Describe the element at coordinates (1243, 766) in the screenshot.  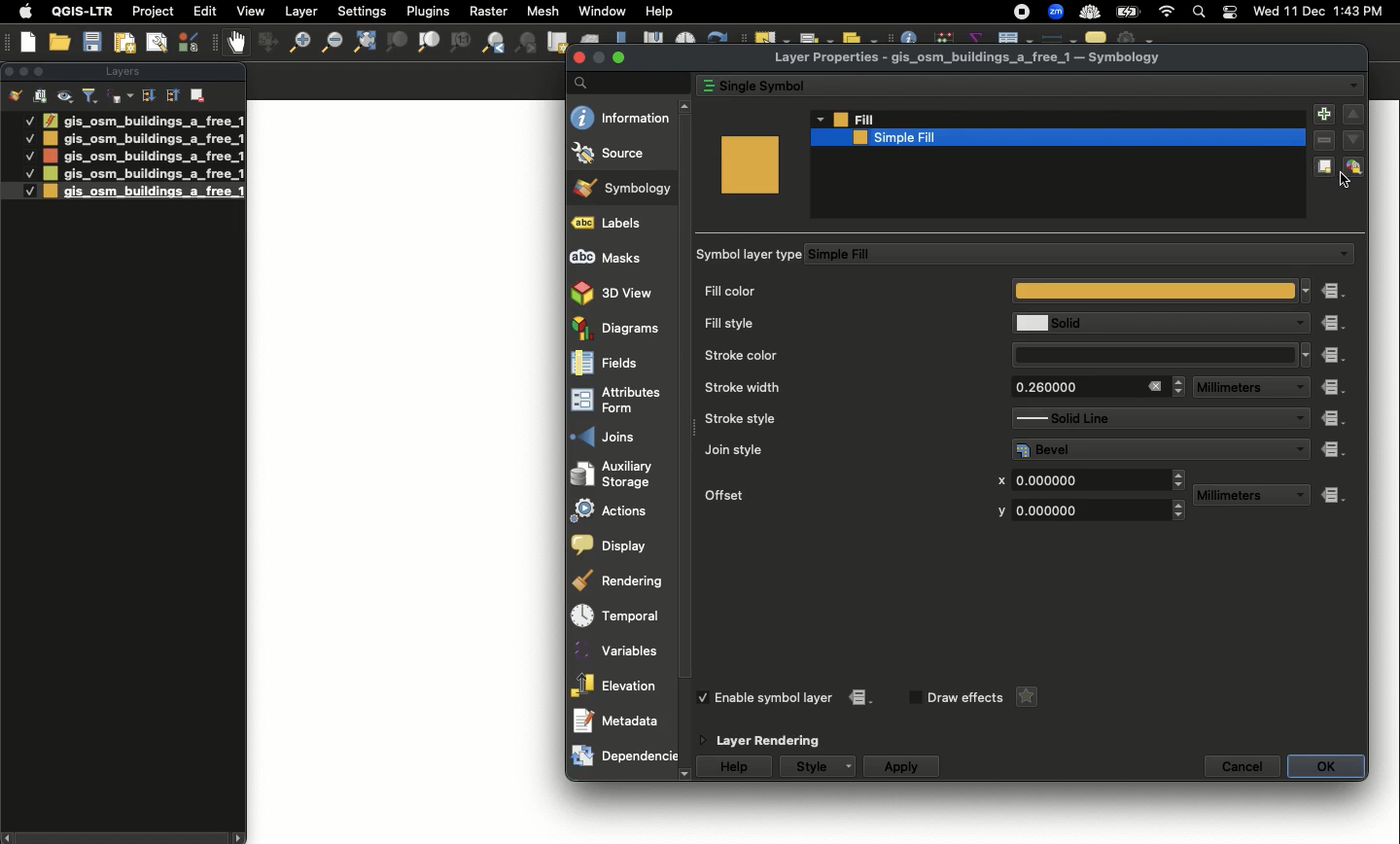
I see `Cancel` at that location.